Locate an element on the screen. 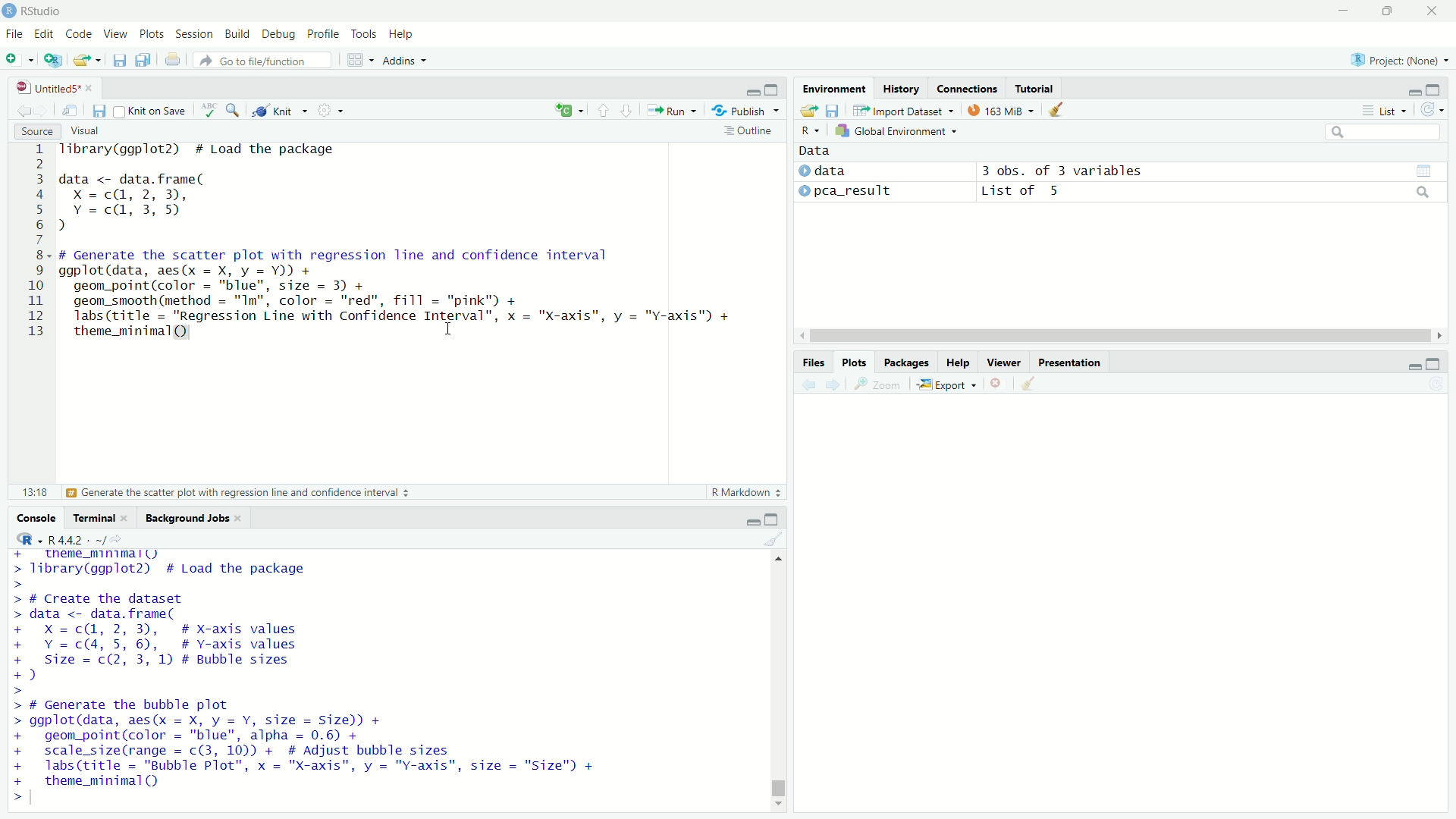 This screenshot has height=819, width=1456. Addins is located at coordinates (404, 60).